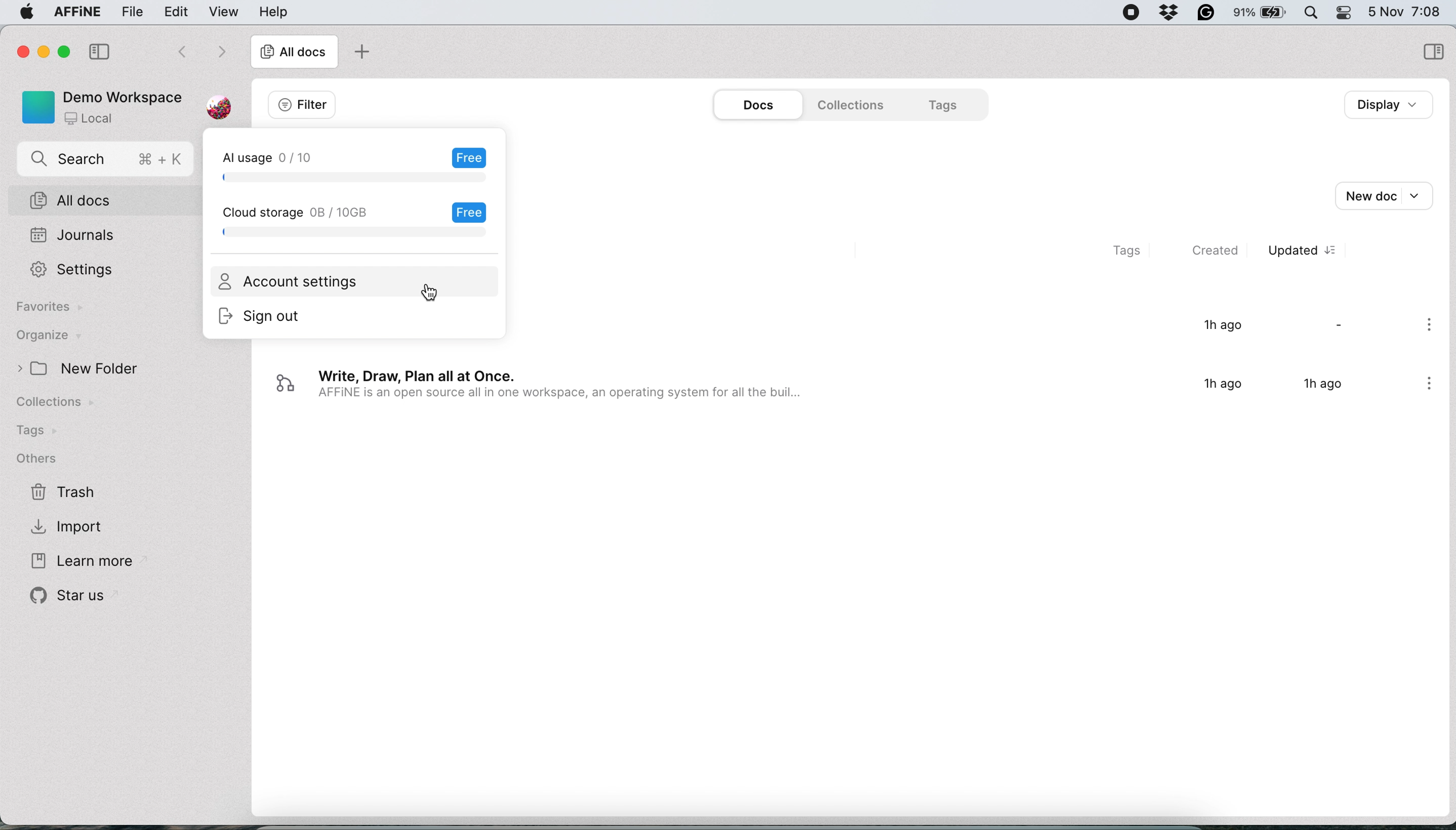  Describe the element at coordinates (66, 494) in the screenshot. I see `trash` at that location.